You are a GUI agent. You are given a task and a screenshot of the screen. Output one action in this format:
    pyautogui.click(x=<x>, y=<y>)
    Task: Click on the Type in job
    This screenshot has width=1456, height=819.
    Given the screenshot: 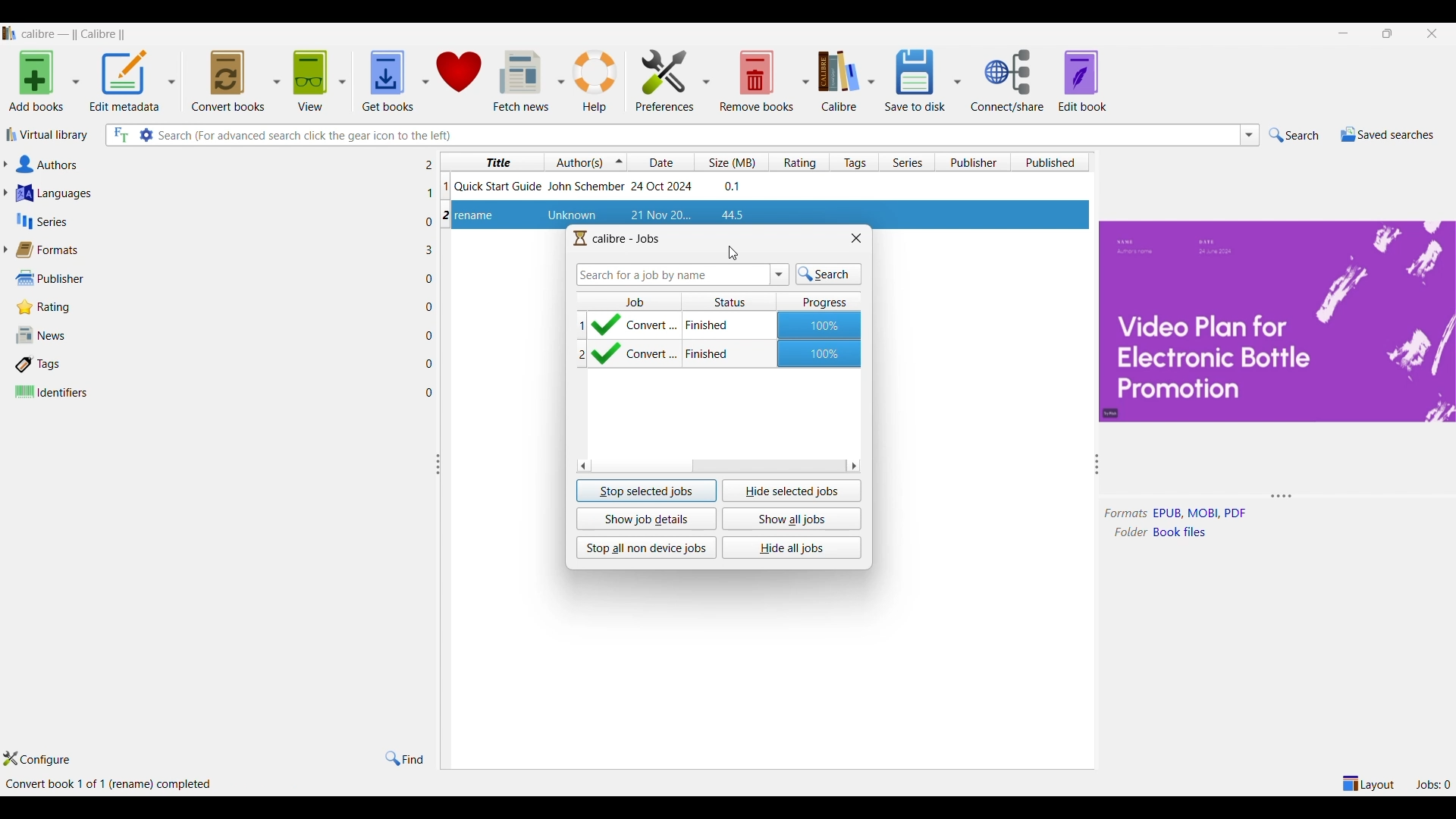 What is the action you would take?
    pyautogui.click(x=673, y=275)
    